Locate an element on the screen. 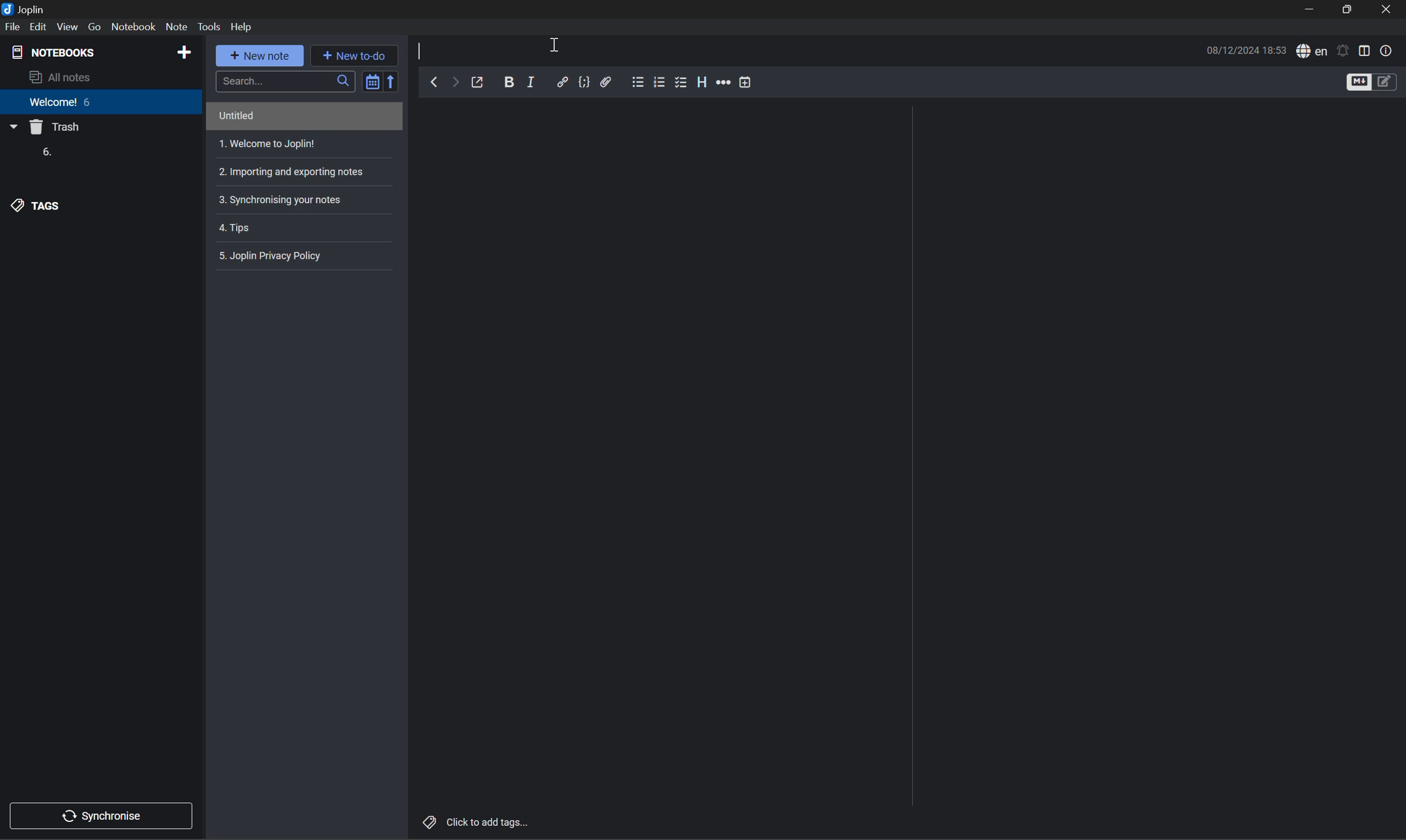 The width and height of the screenshot is (1406, 840). Importing and exporting notes is located at coordinates (296, 171).